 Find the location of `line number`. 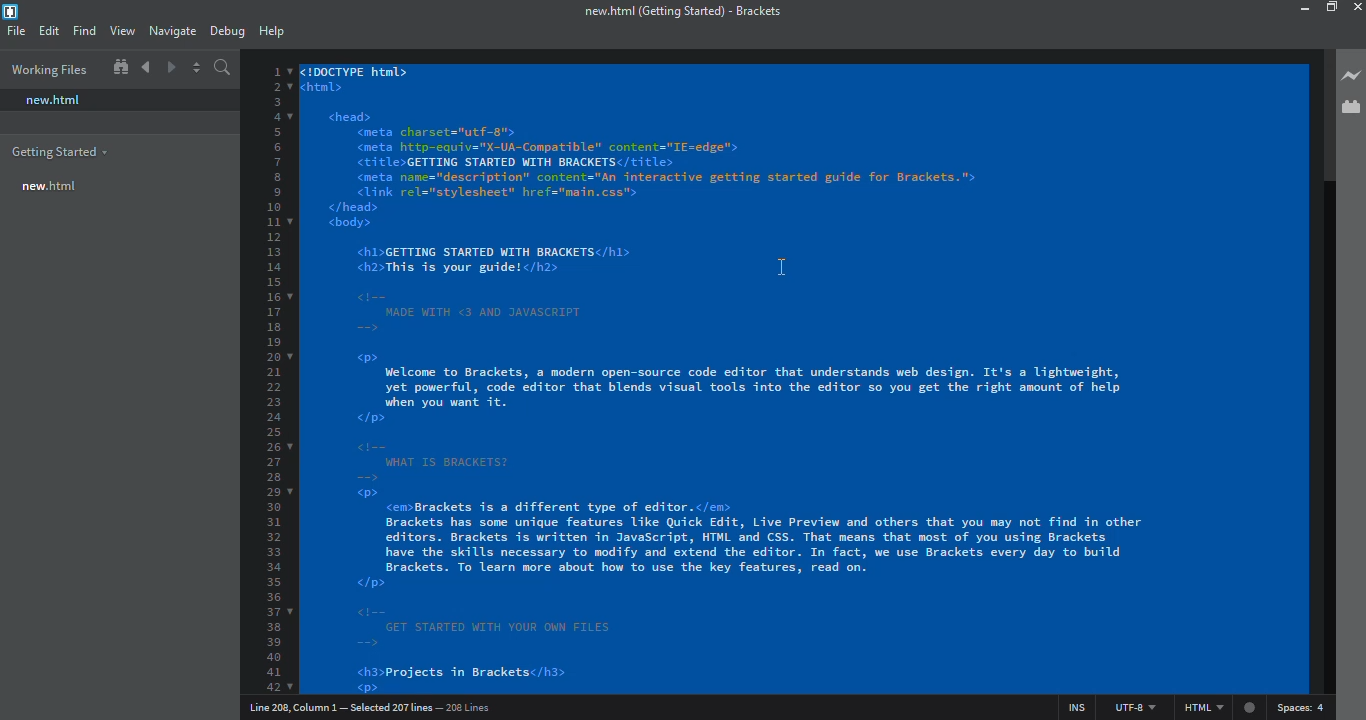

line number is located at coordinates (379, 708).